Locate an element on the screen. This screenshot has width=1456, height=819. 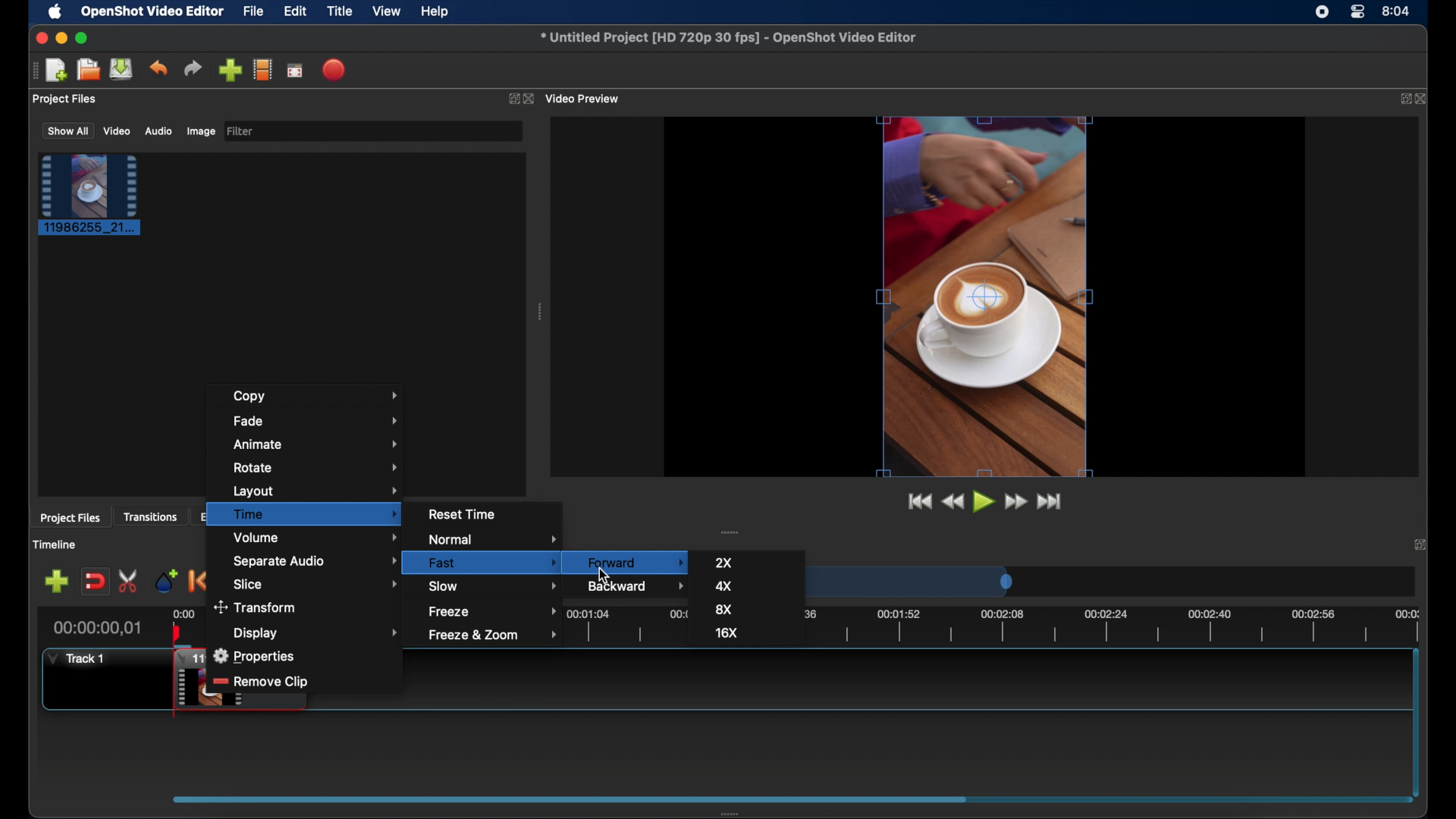
timeline is located at coordinates (56, 544).